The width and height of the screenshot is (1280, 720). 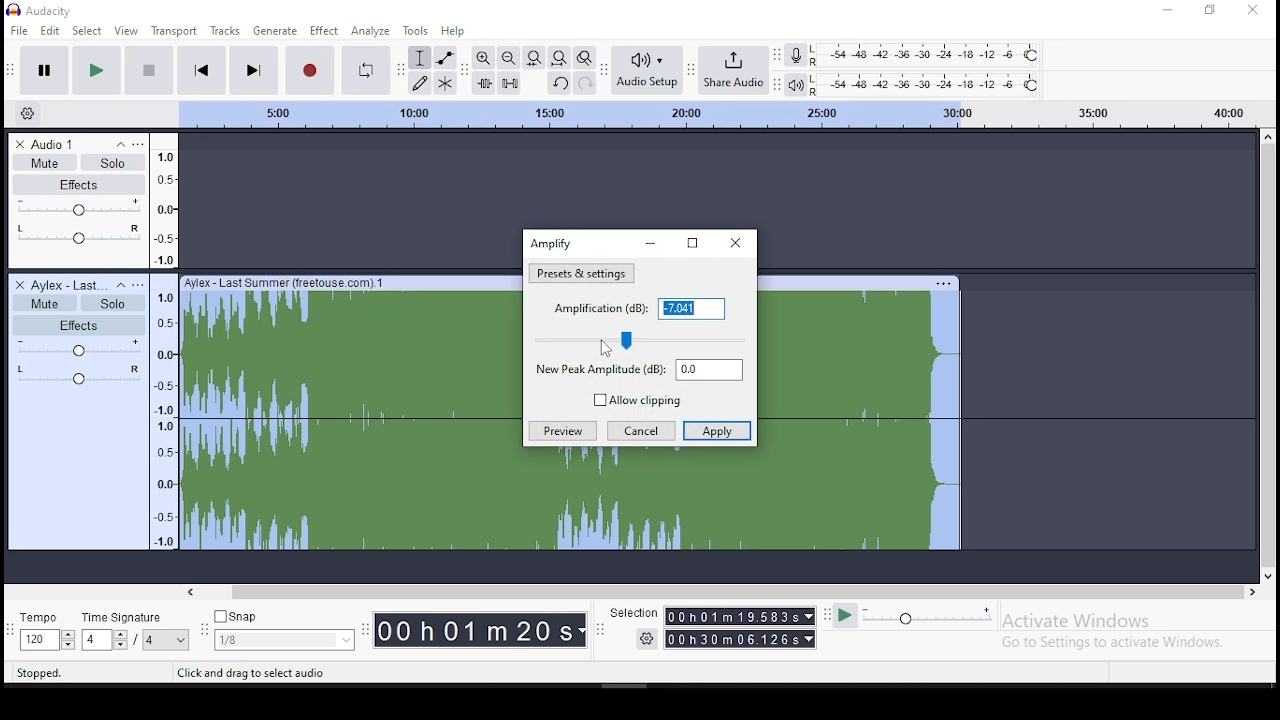 What do you see at coordinates (927, 55) in the screenshot?
I see `recording level` at bounding box center [927, 55].